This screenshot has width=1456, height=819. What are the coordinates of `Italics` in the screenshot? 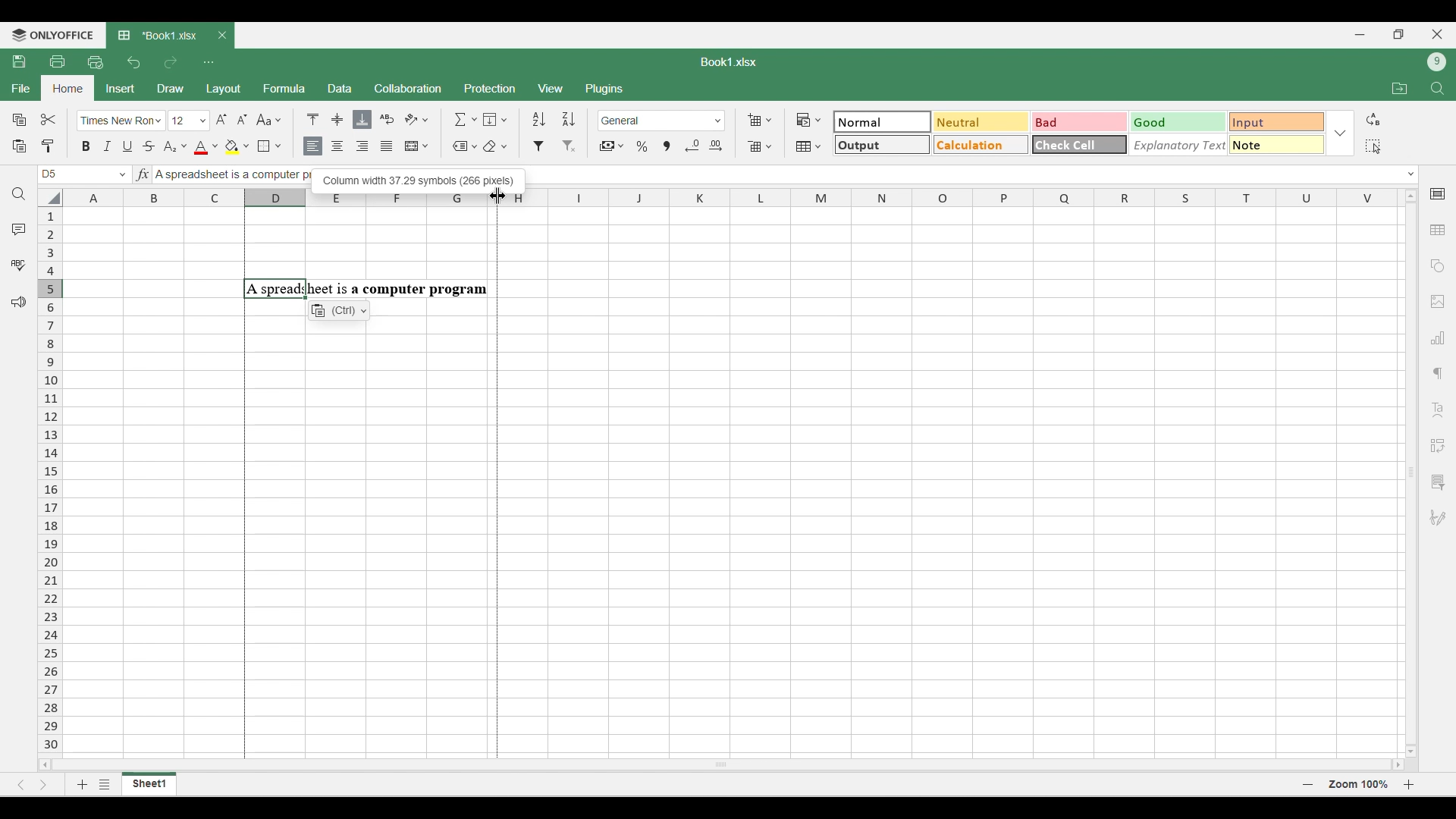 It's located at (107, 146).